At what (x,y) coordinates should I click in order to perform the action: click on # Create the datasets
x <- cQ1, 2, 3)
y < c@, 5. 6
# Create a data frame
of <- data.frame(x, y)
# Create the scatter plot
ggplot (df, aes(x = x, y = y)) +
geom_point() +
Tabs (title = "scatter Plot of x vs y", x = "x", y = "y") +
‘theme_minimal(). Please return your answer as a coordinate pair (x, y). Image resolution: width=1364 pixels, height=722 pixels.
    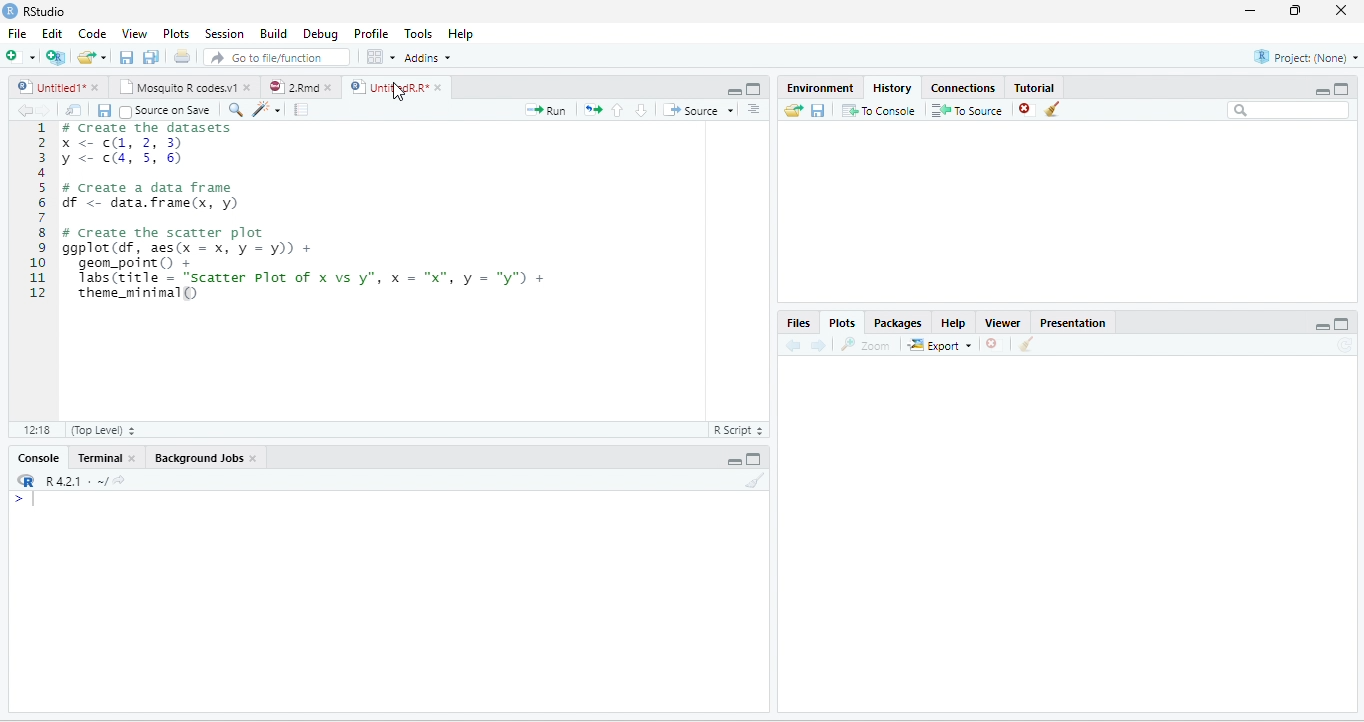
    Looking at the image, I should click on (308, 214).